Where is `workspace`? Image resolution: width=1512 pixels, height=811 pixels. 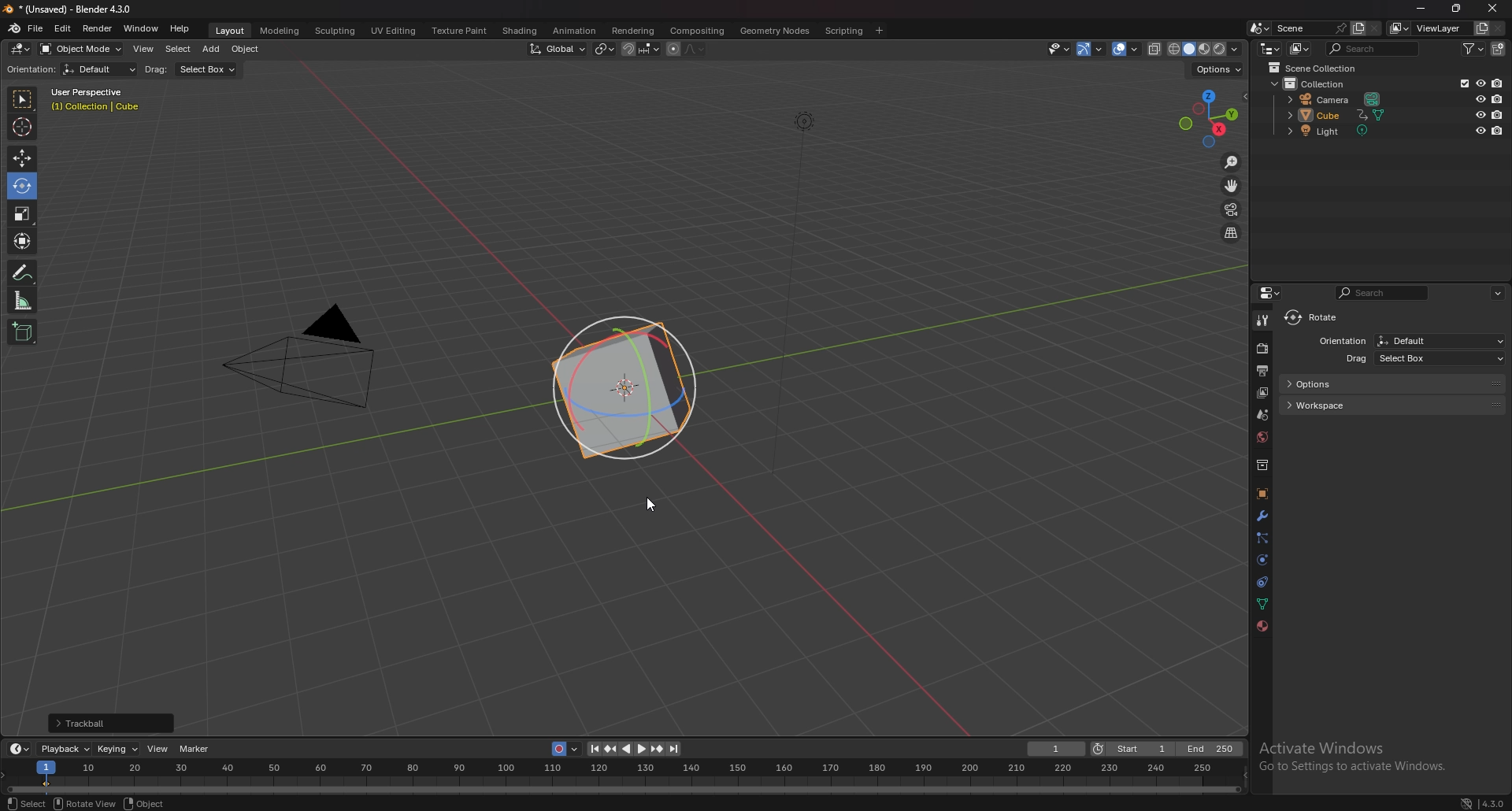
workspace is located at coordinates (1392, 406).